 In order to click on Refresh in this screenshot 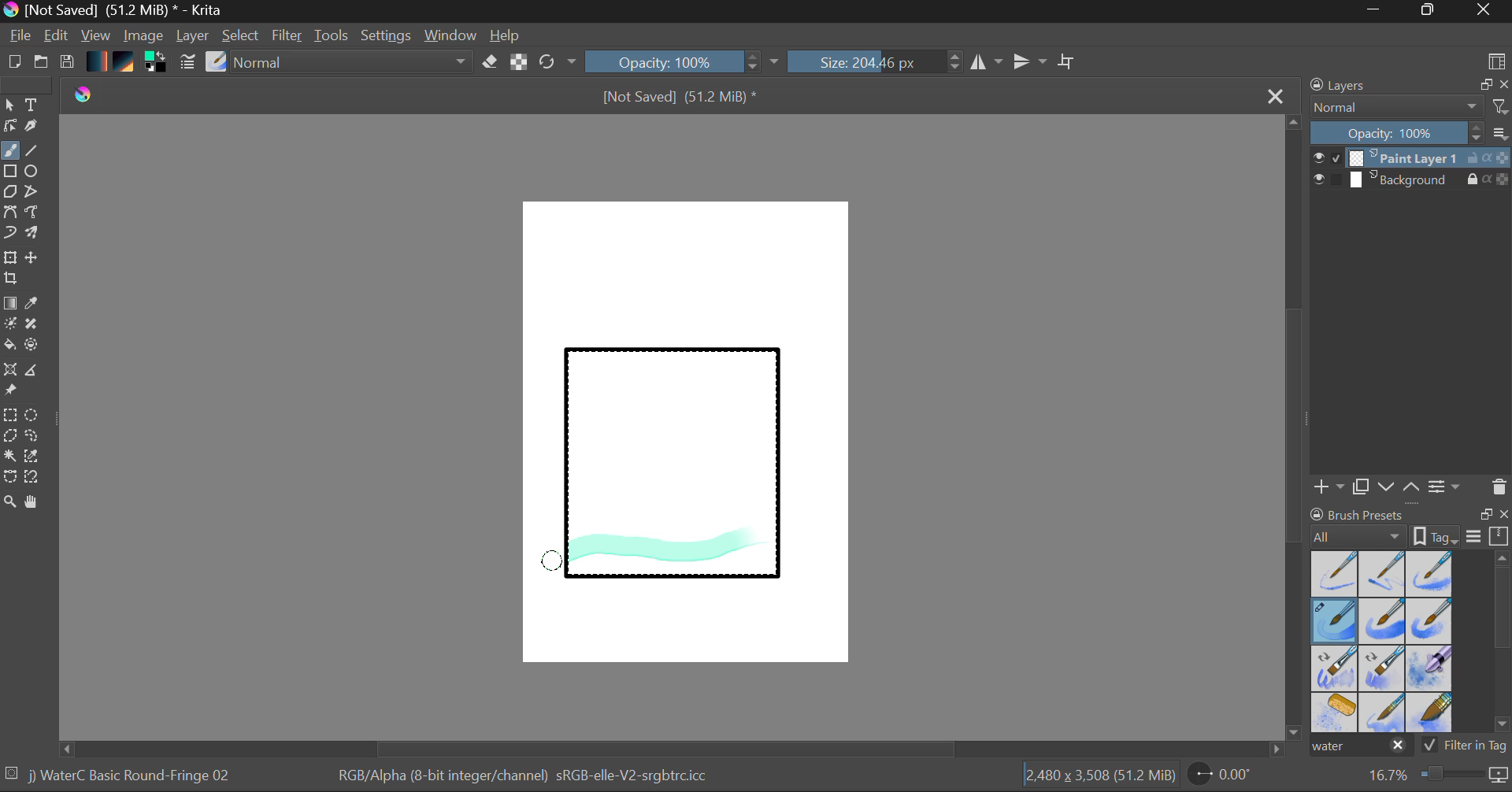, I will do `click(558, 61)`.